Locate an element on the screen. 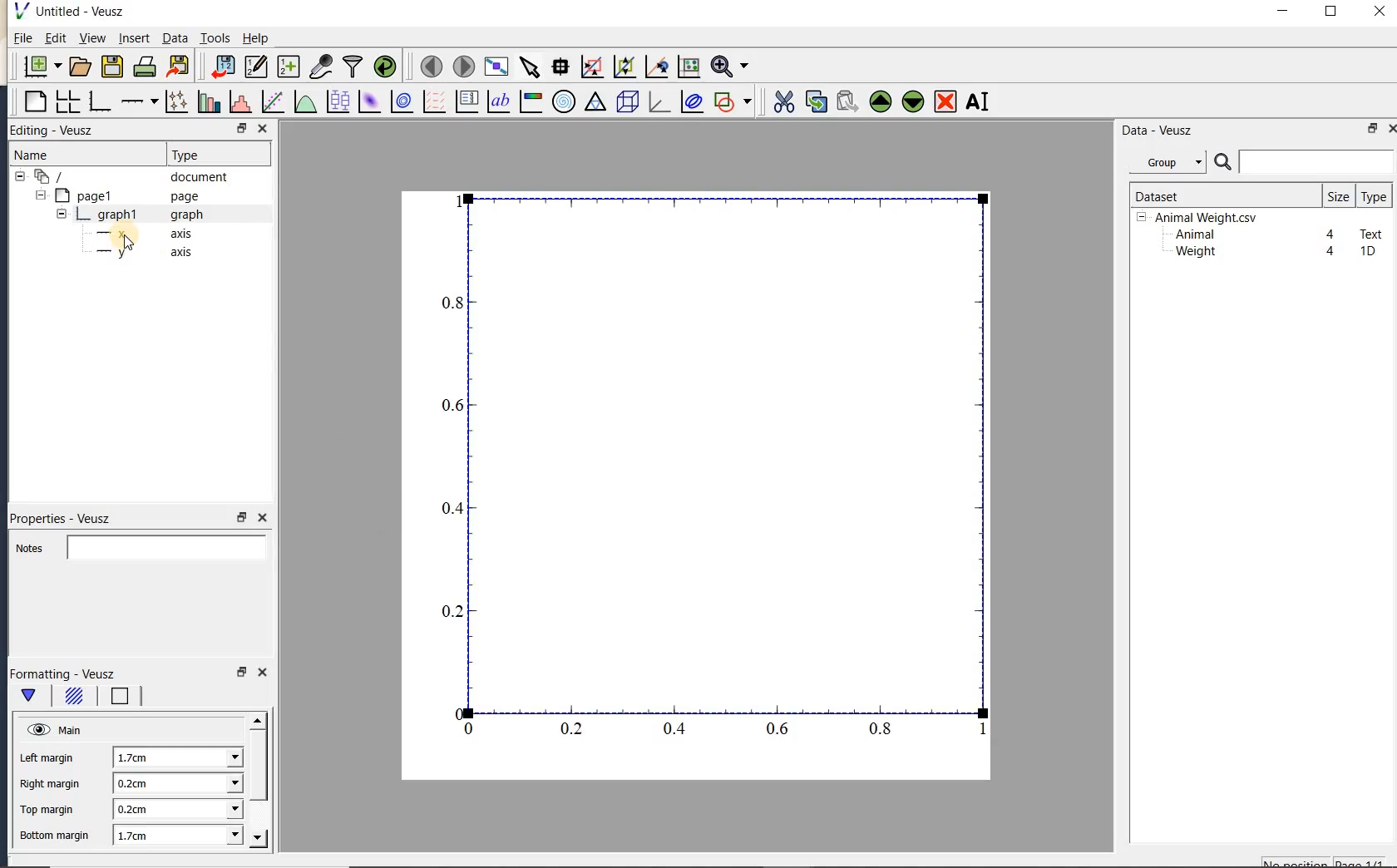  Formatting - Veusz is located at coordinates (62, 674).